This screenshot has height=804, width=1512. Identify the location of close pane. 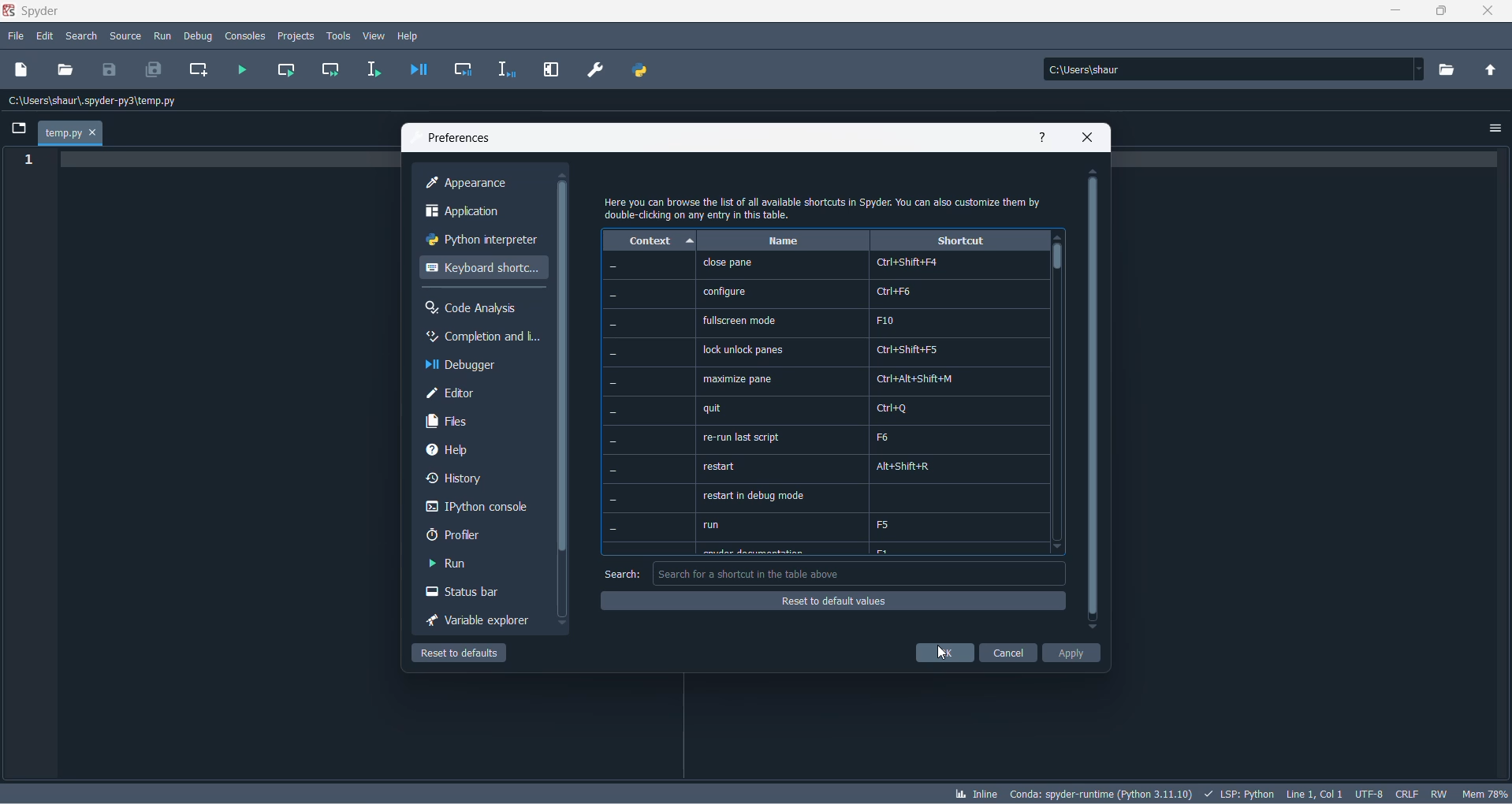
(727, 263).